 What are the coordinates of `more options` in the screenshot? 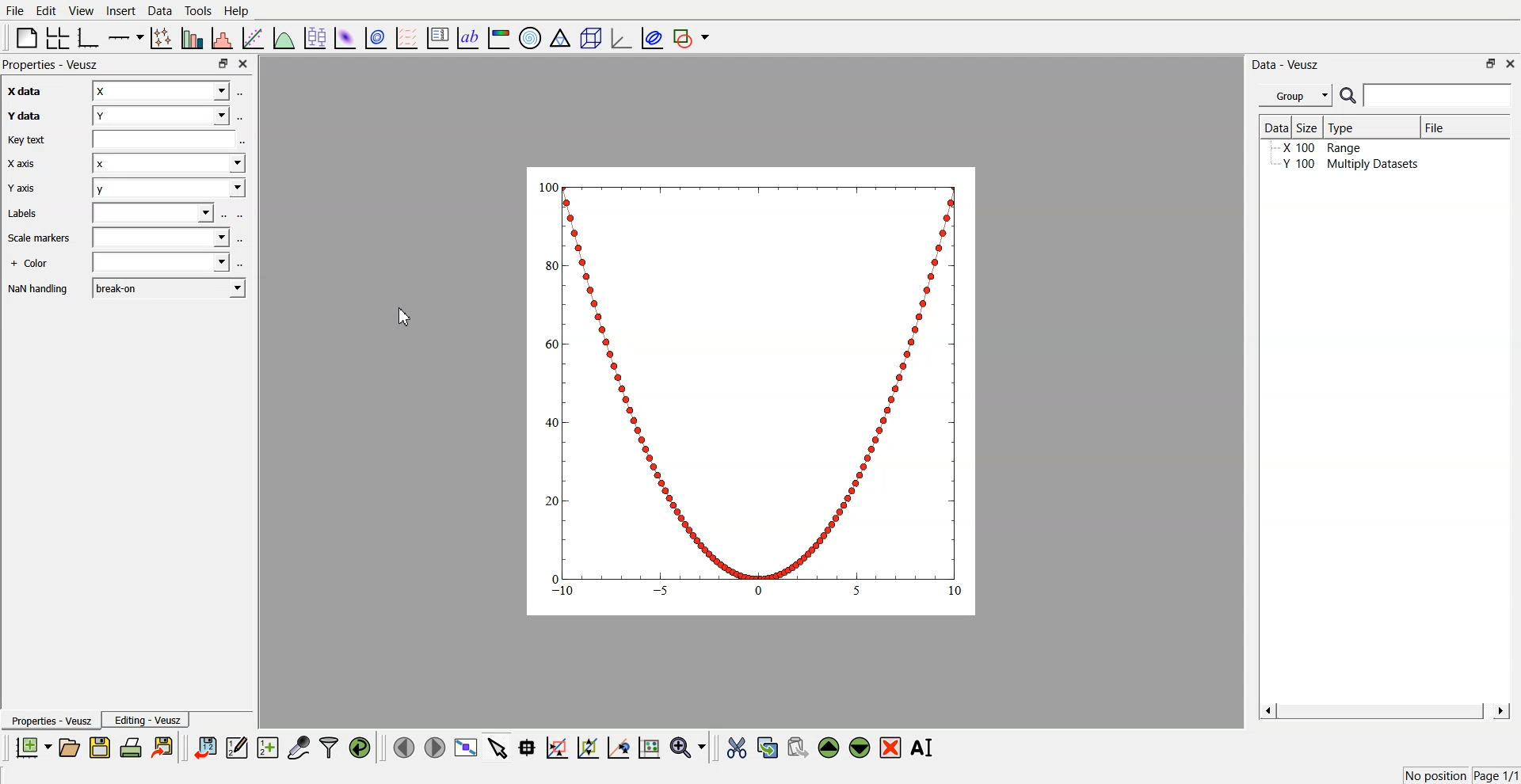 It's located at (242, 263).